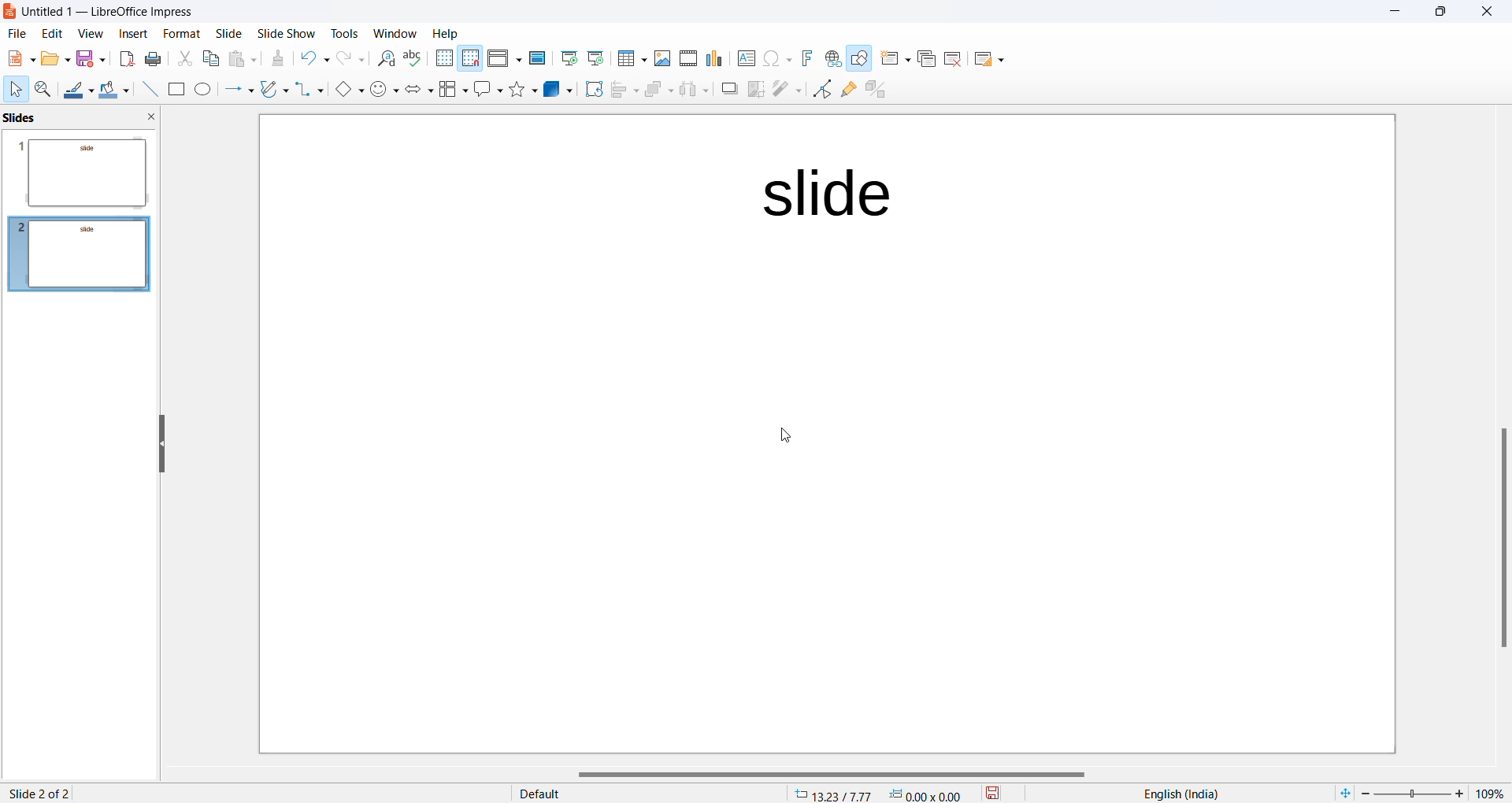 The height and width of the screenshot is (803, 1512). Describe the element at coordinates (163, 442) in the screenshot. I see `hide left sidebar` at that location.